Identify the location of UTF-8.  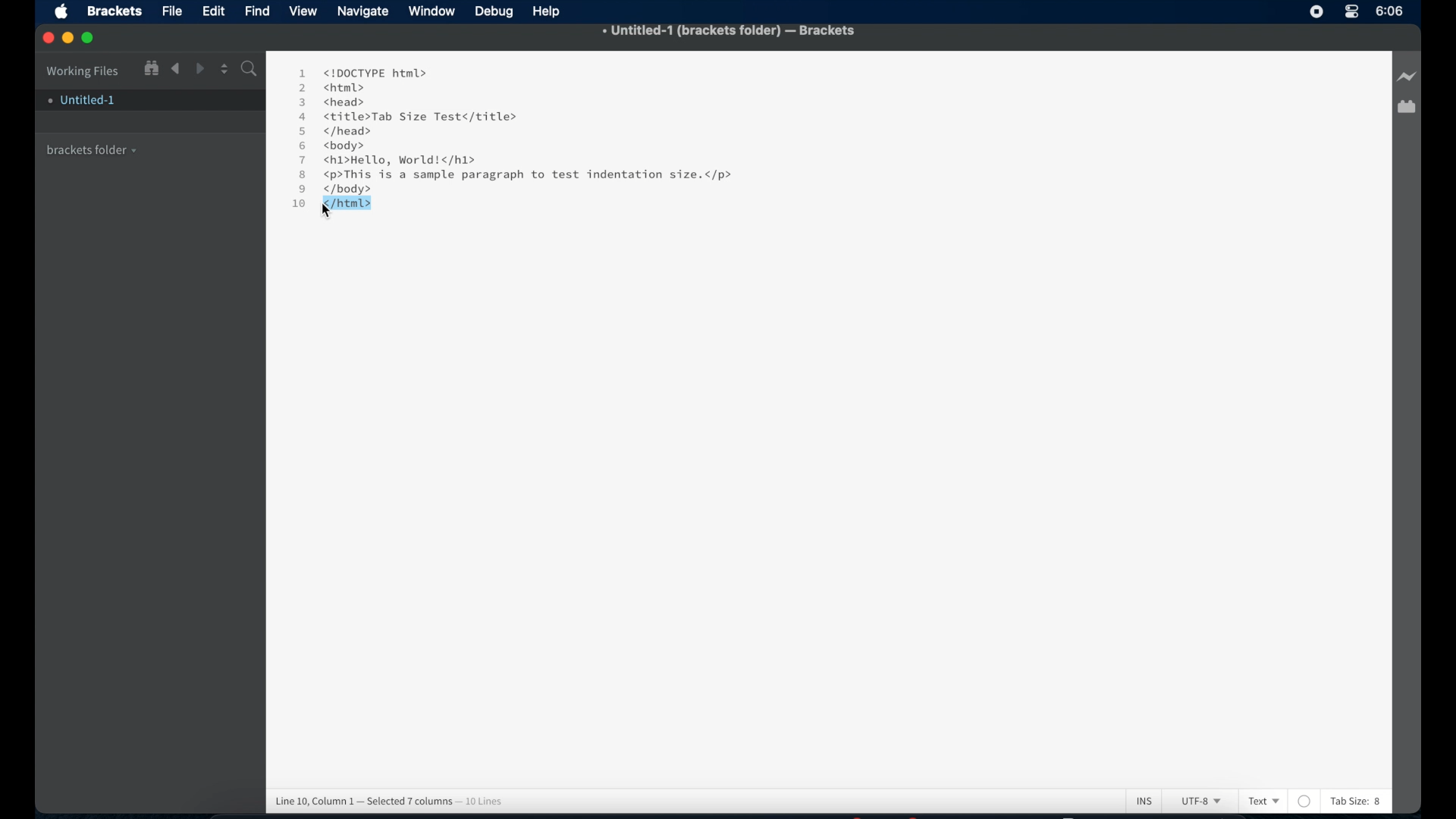
(1198, 802).